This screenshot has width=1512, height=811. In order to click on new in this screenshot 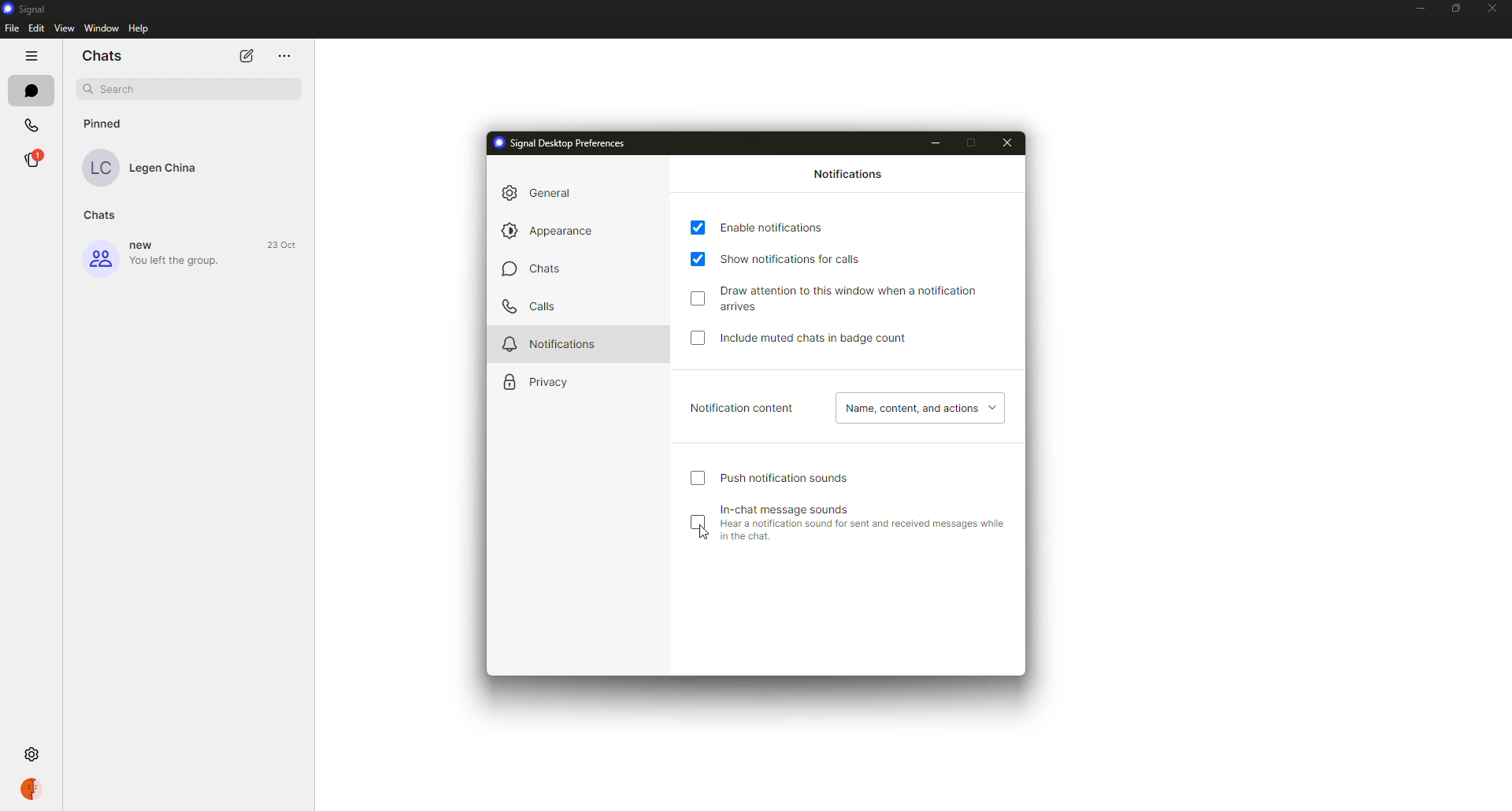, I will do `click(141, 244)`.